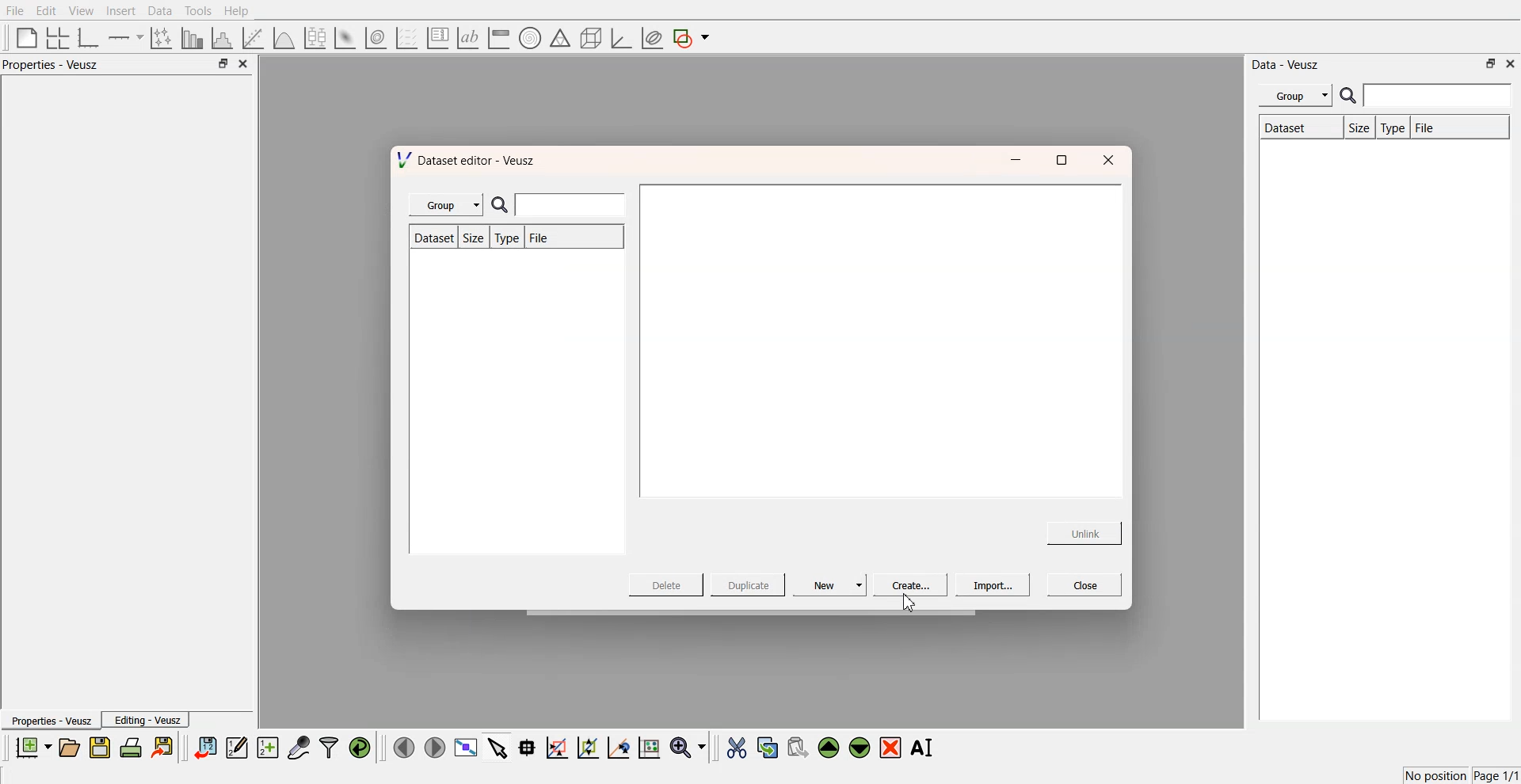  What do you see at coordinates (1012, 158) in the screenshot?
I see `minimise` at bounding box center [1012, 158].